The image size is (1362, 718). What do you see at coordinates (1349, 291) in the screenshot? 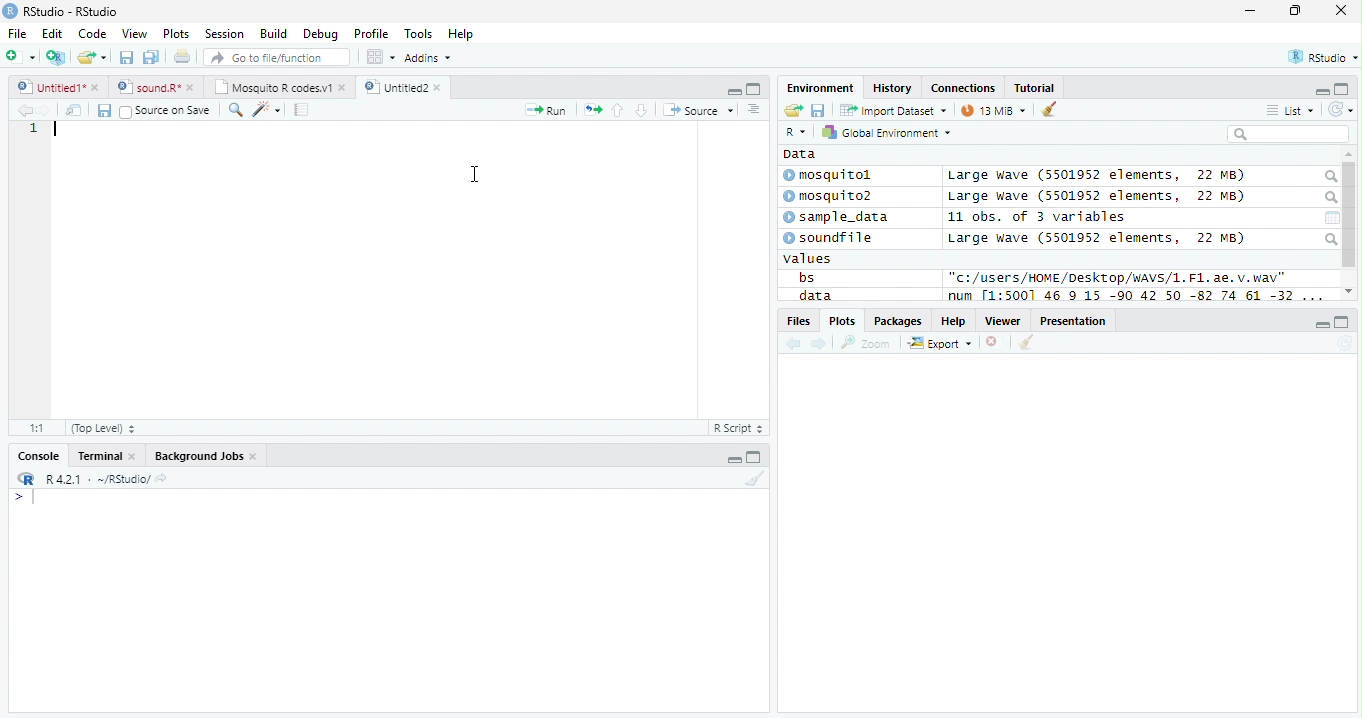
I see `scroll down` at bounding box center [1349, 291].